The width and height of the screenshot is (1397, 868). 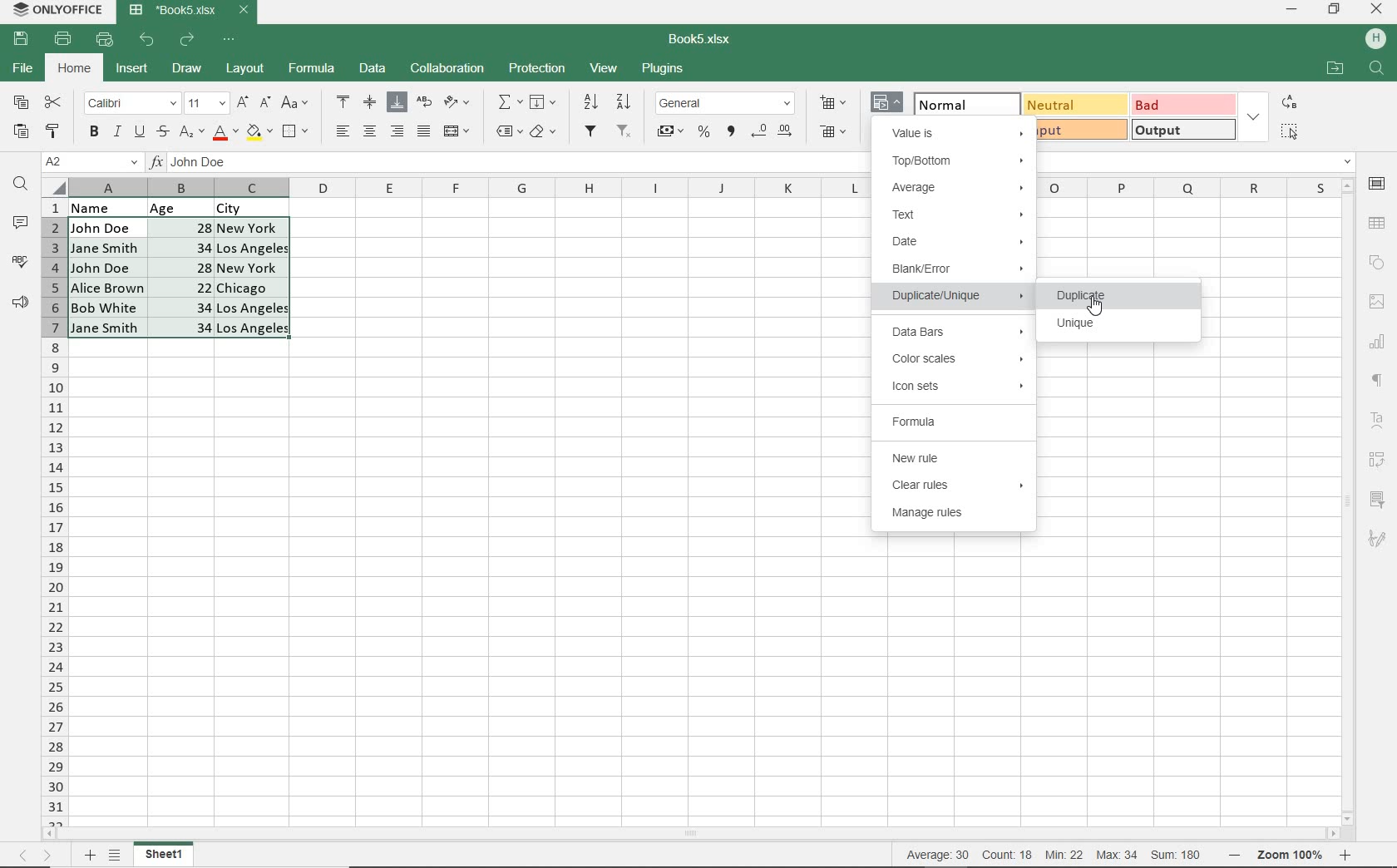 I want to click on SHAPE, so click(x=1376, y=263).